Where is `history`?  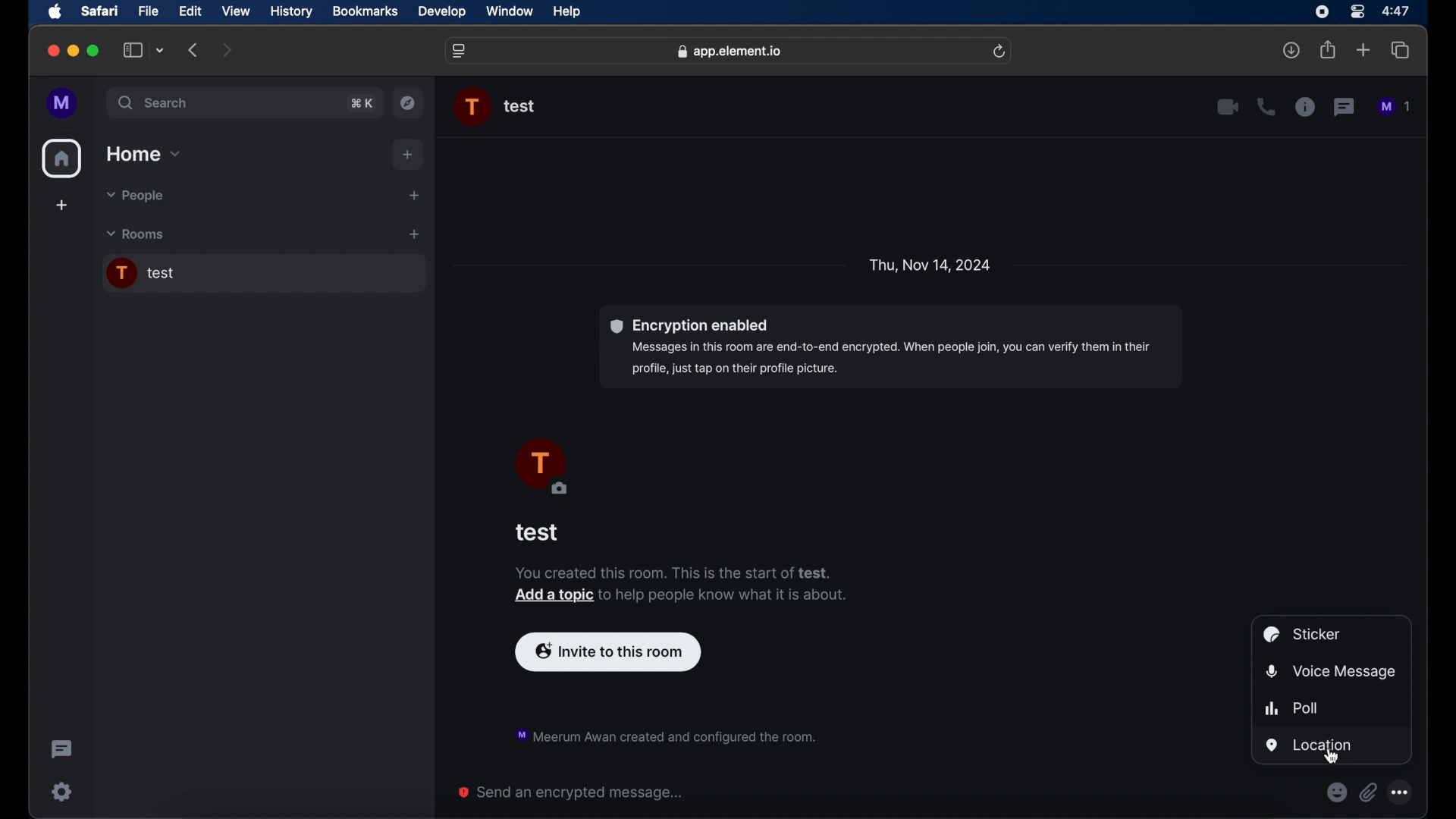
history is located at coordinates (291, 11).